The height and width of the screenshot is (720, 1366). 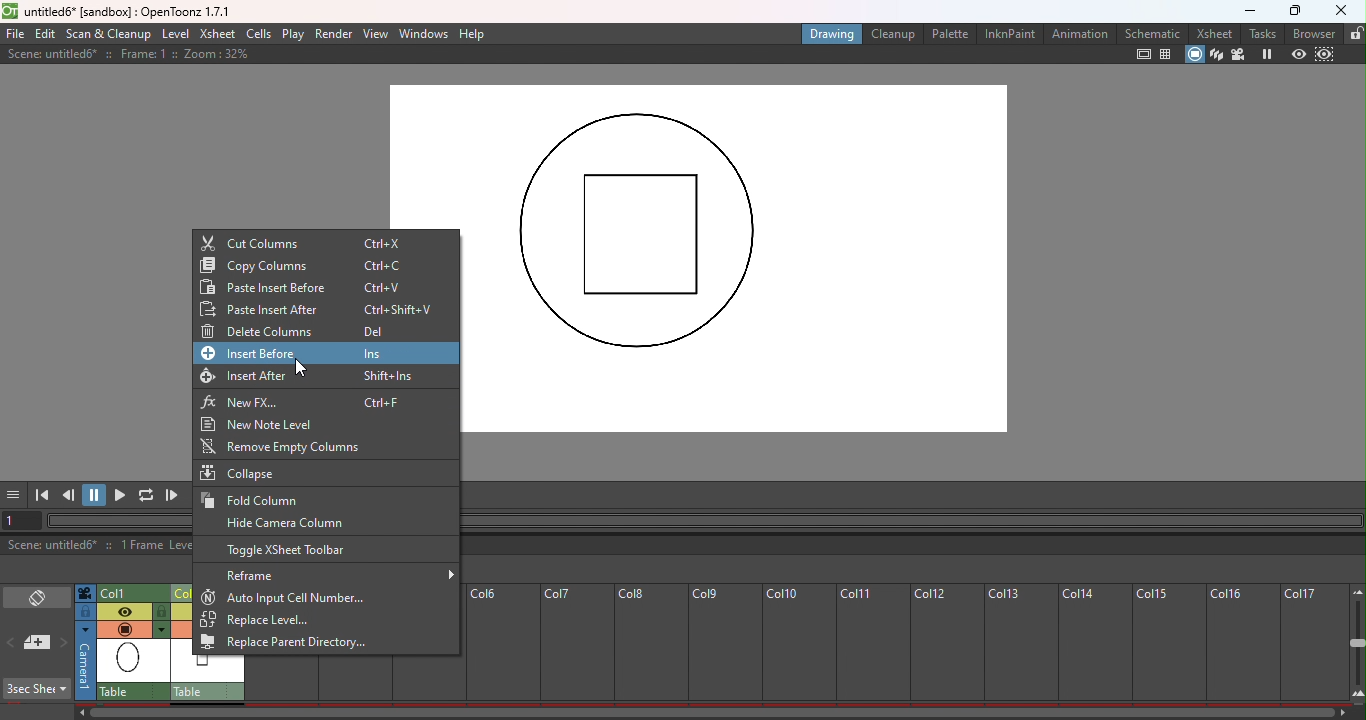 What do you see at coordinates (1216, 55) in the screenshot?
I see `3D View` at bounding box center [1216, 55].